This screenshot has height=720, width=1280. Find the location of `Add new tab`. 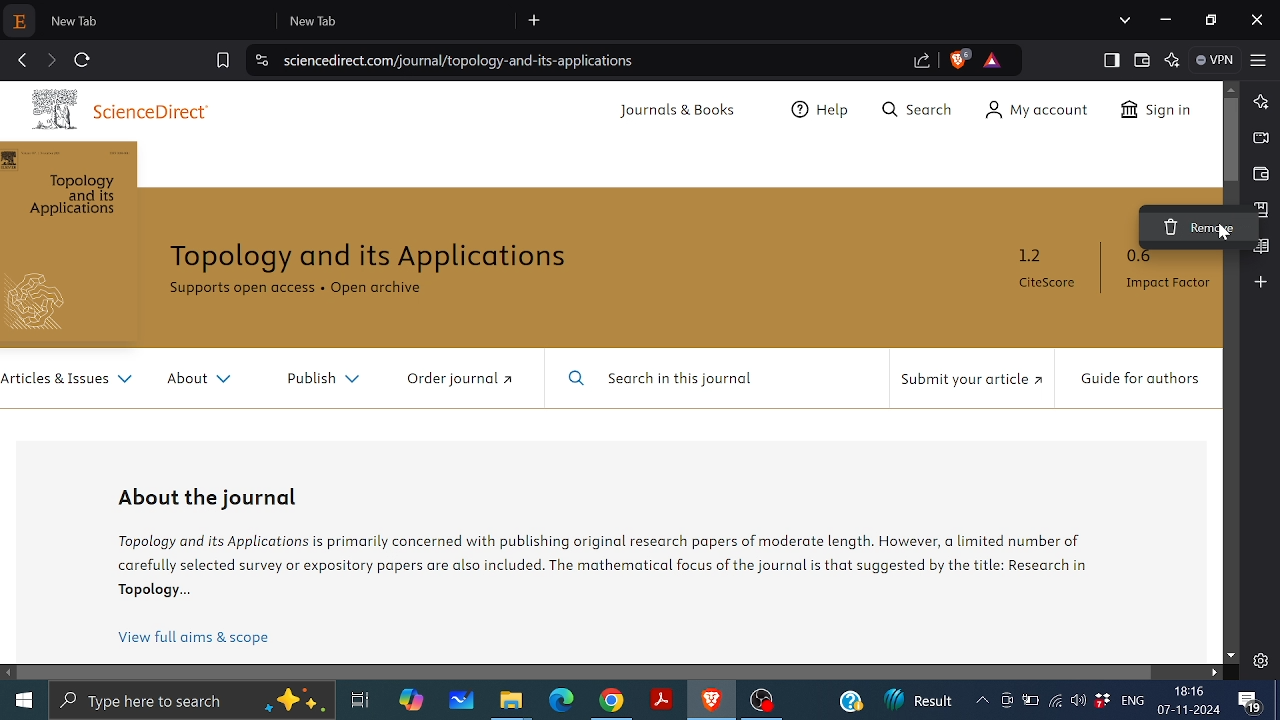

Add new tab is located at coordinates (536, 21).